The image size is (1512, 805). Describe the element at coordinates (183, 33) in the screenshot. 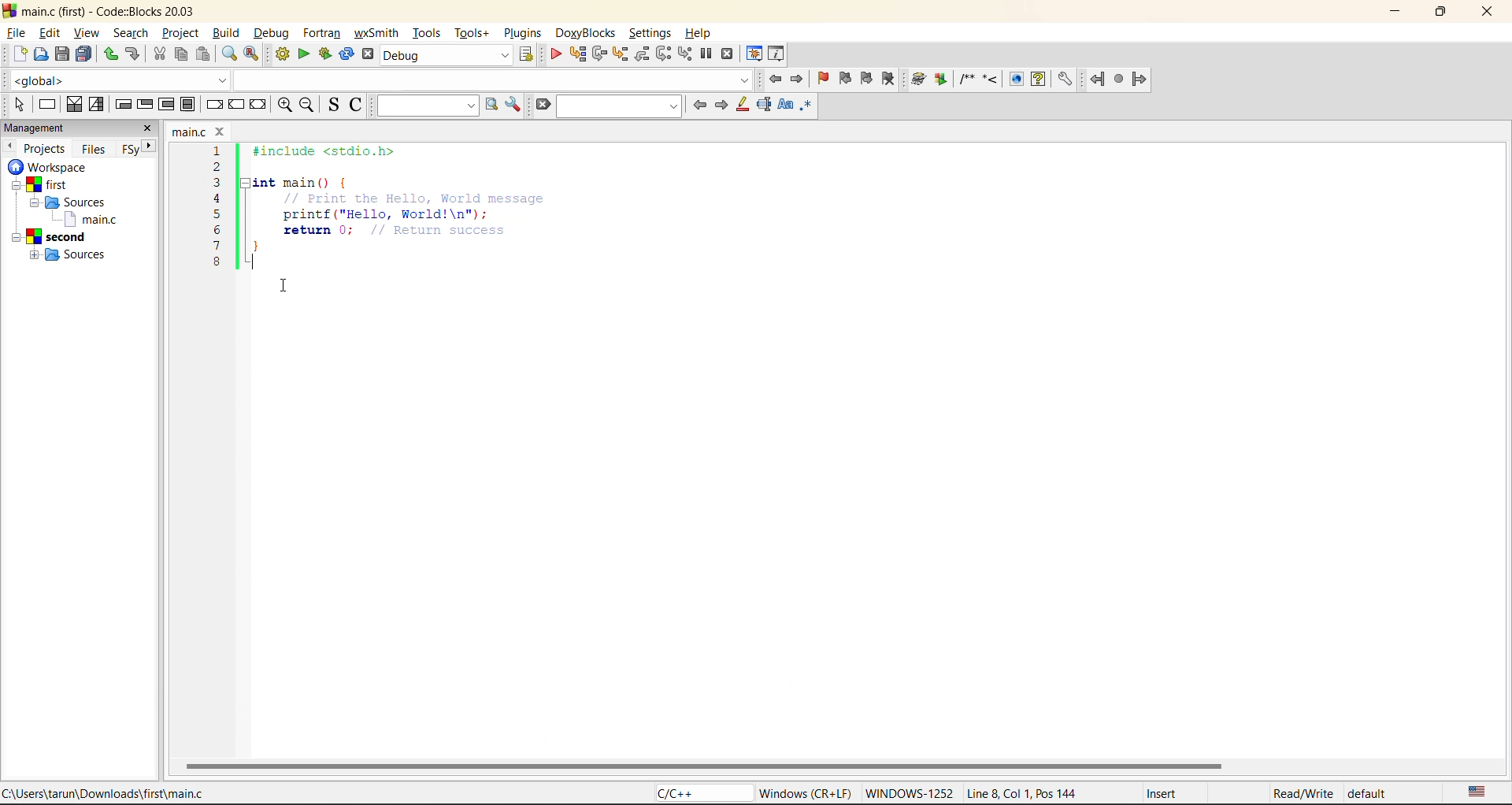

I see `project` at that location.